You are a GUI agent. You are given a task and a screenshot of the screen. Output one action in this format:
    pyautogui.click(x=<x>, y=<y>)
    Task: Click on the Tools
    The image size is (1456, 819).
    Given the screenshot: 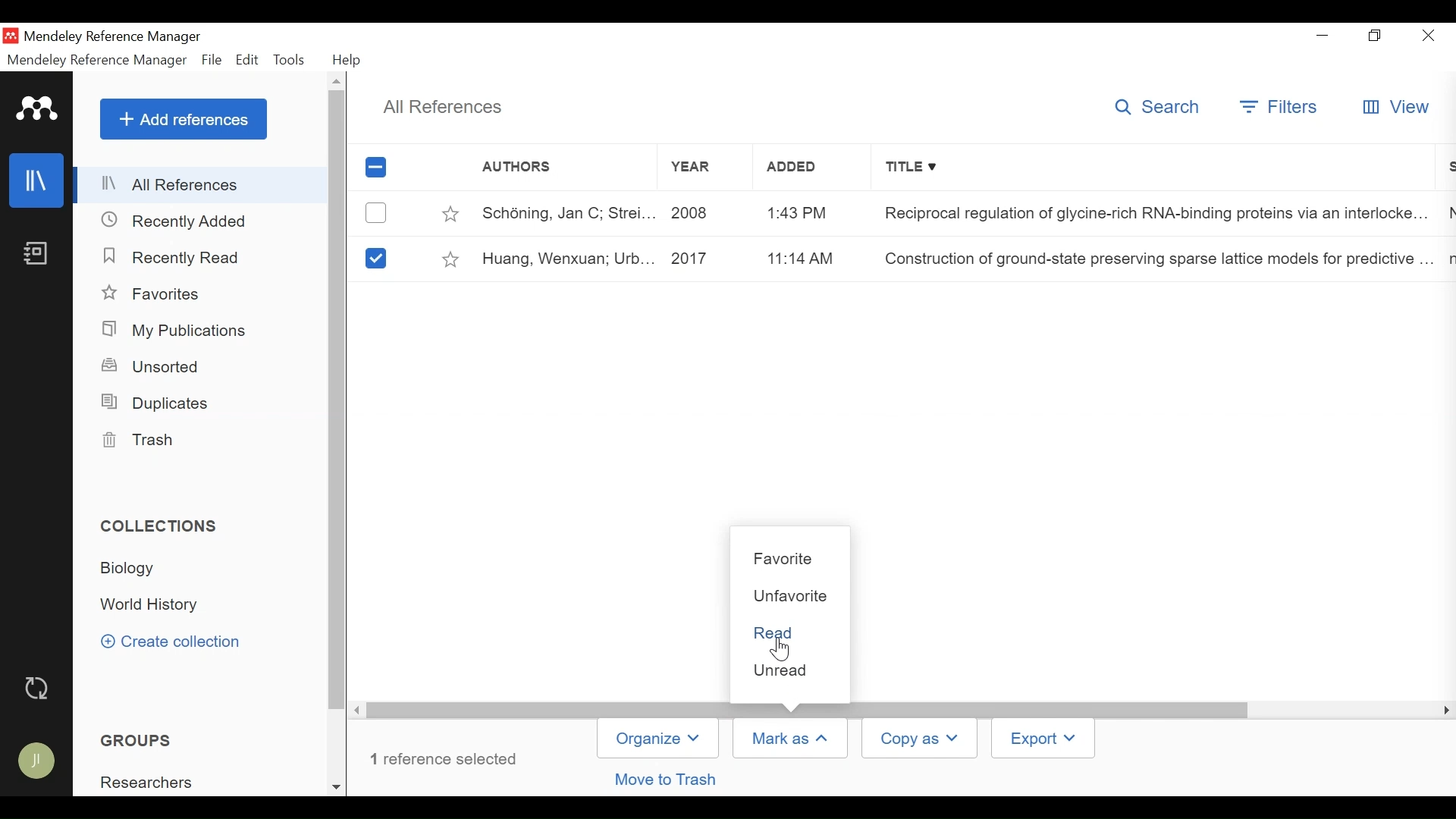 What is the action you would take?
    pyautogui.click(x=290, y=59)
    